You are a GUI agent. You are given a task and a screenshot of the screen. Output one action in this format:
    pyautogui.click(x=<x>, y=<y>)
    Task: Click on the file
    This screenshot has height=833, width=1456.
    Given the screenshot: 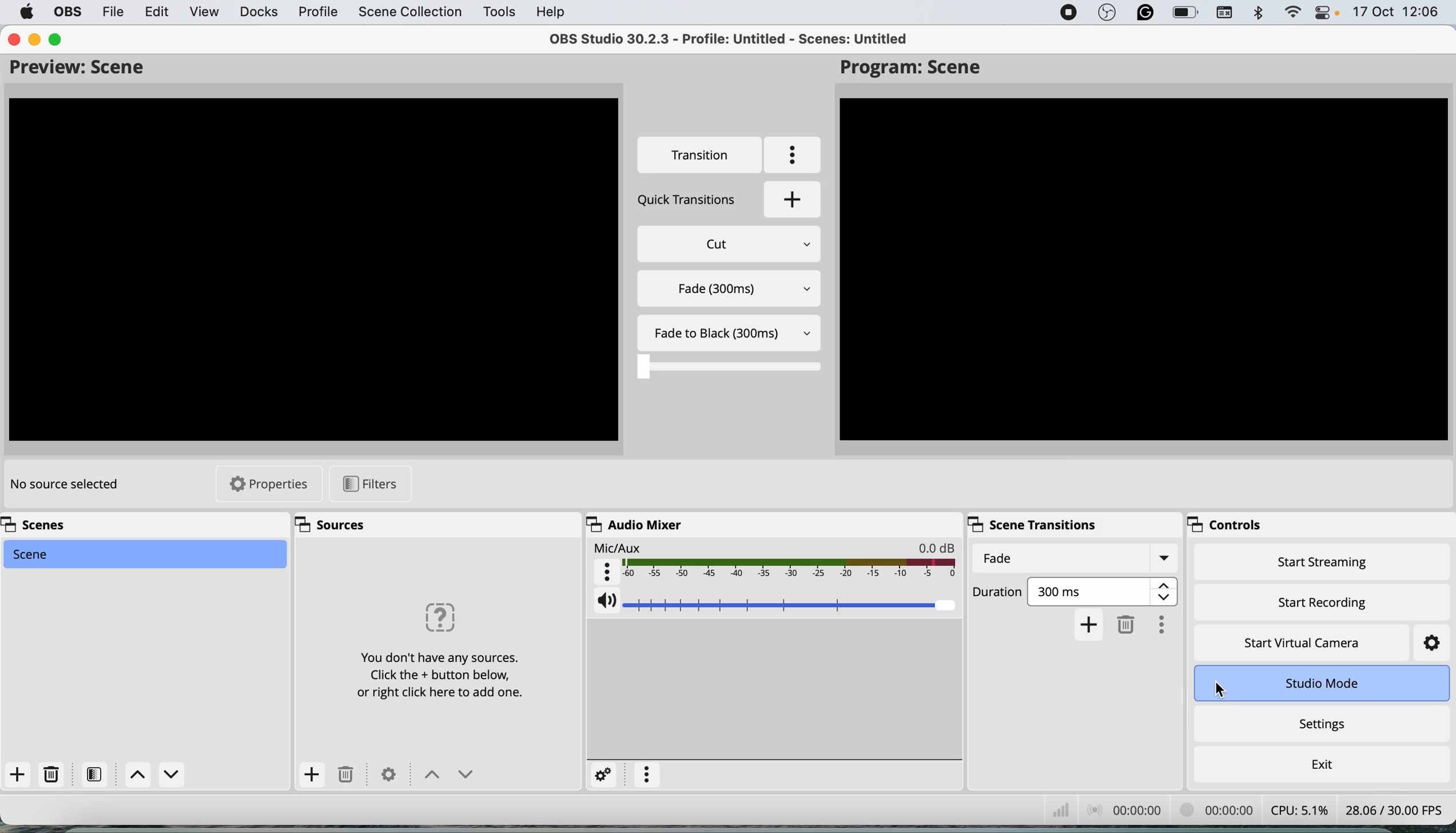 What is the action you would take?
    pyautogui.click(x=112, y=13)
    